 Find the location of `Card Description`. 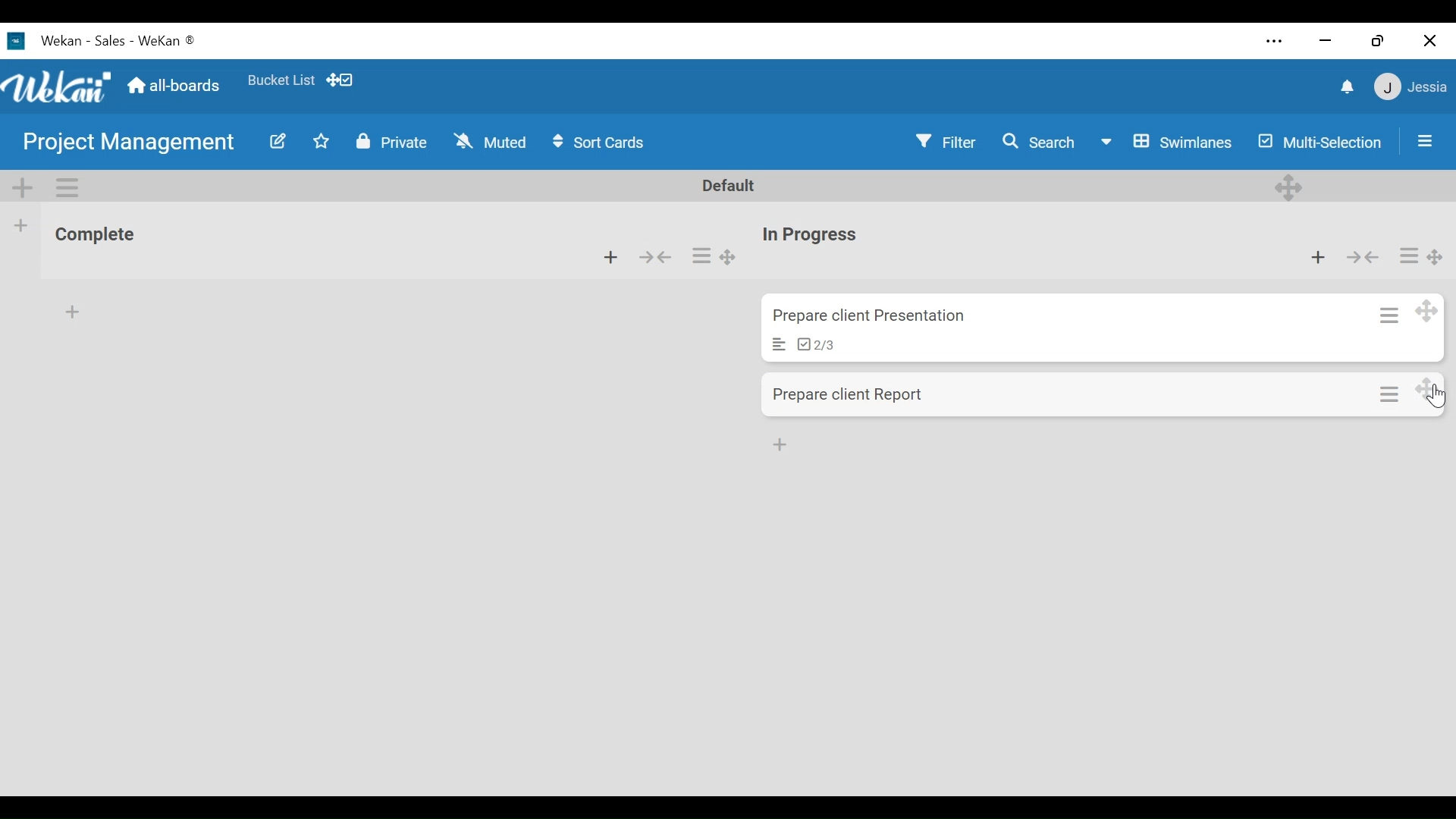

Card Description is located at coordinates (773, 344).